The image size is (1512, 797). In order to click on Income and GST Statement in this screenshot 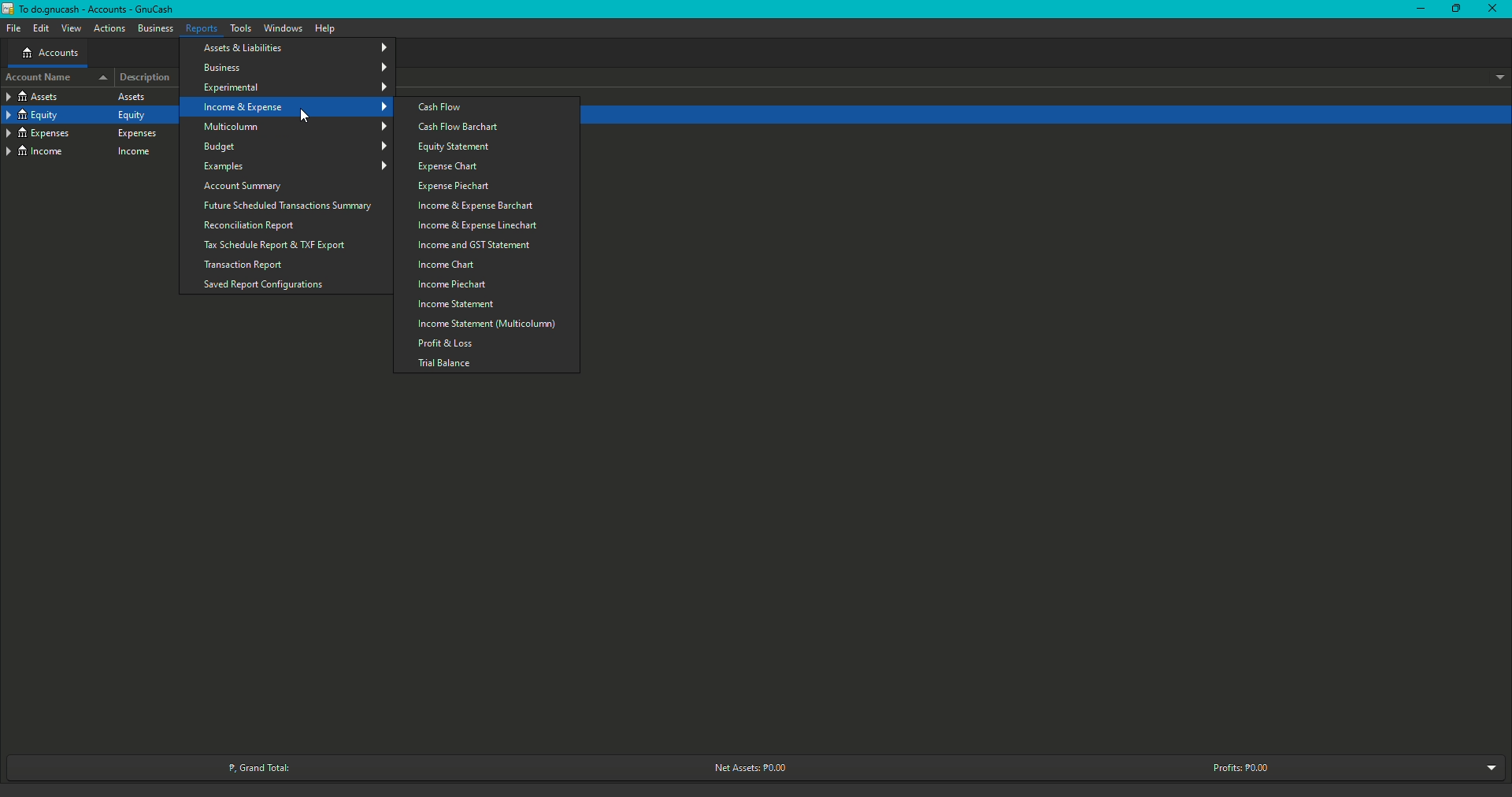, I will do `click(476, 245)`.